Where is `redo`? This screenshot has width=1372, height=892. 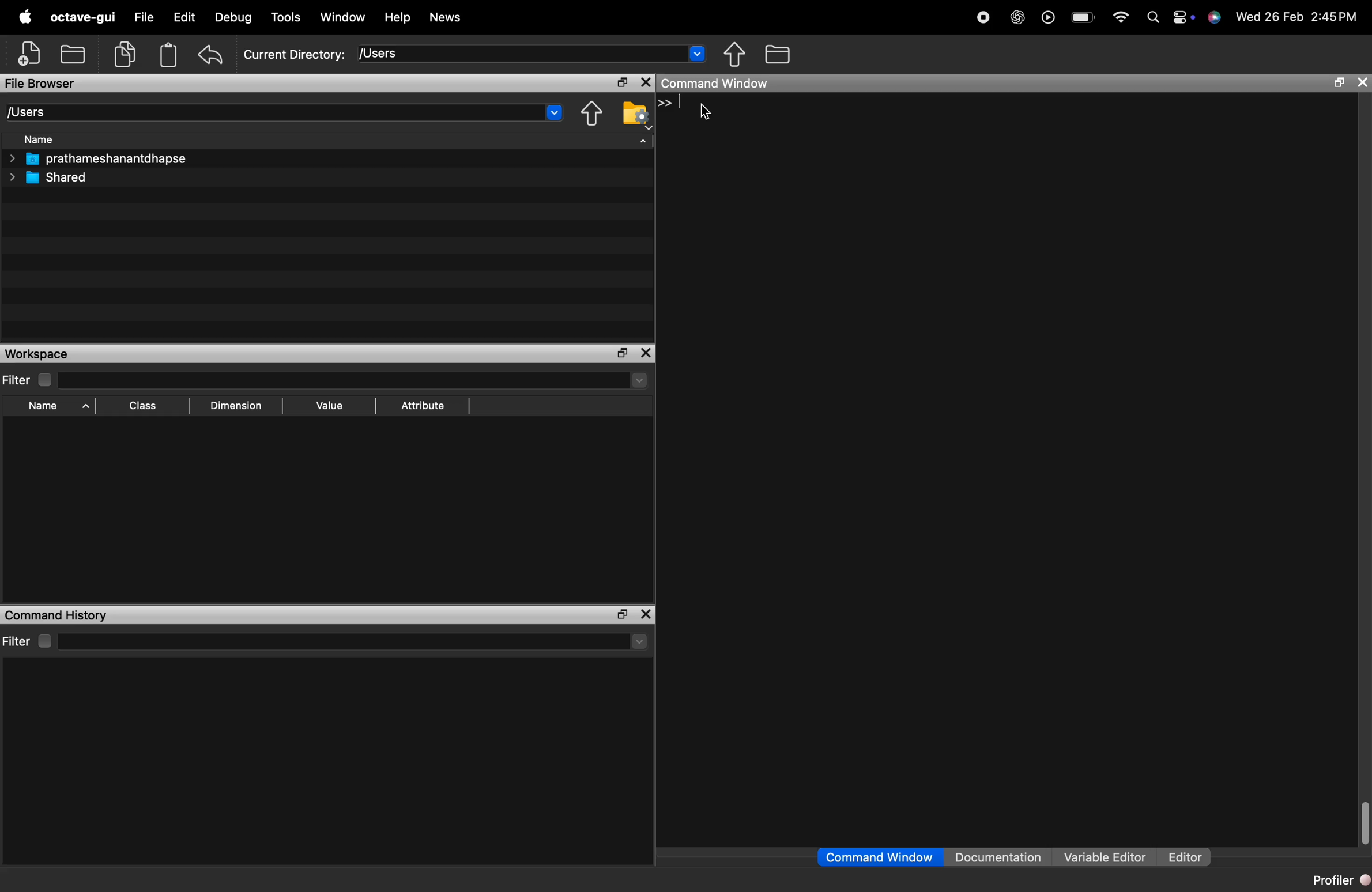 redo is located at coordinates (214, 54).